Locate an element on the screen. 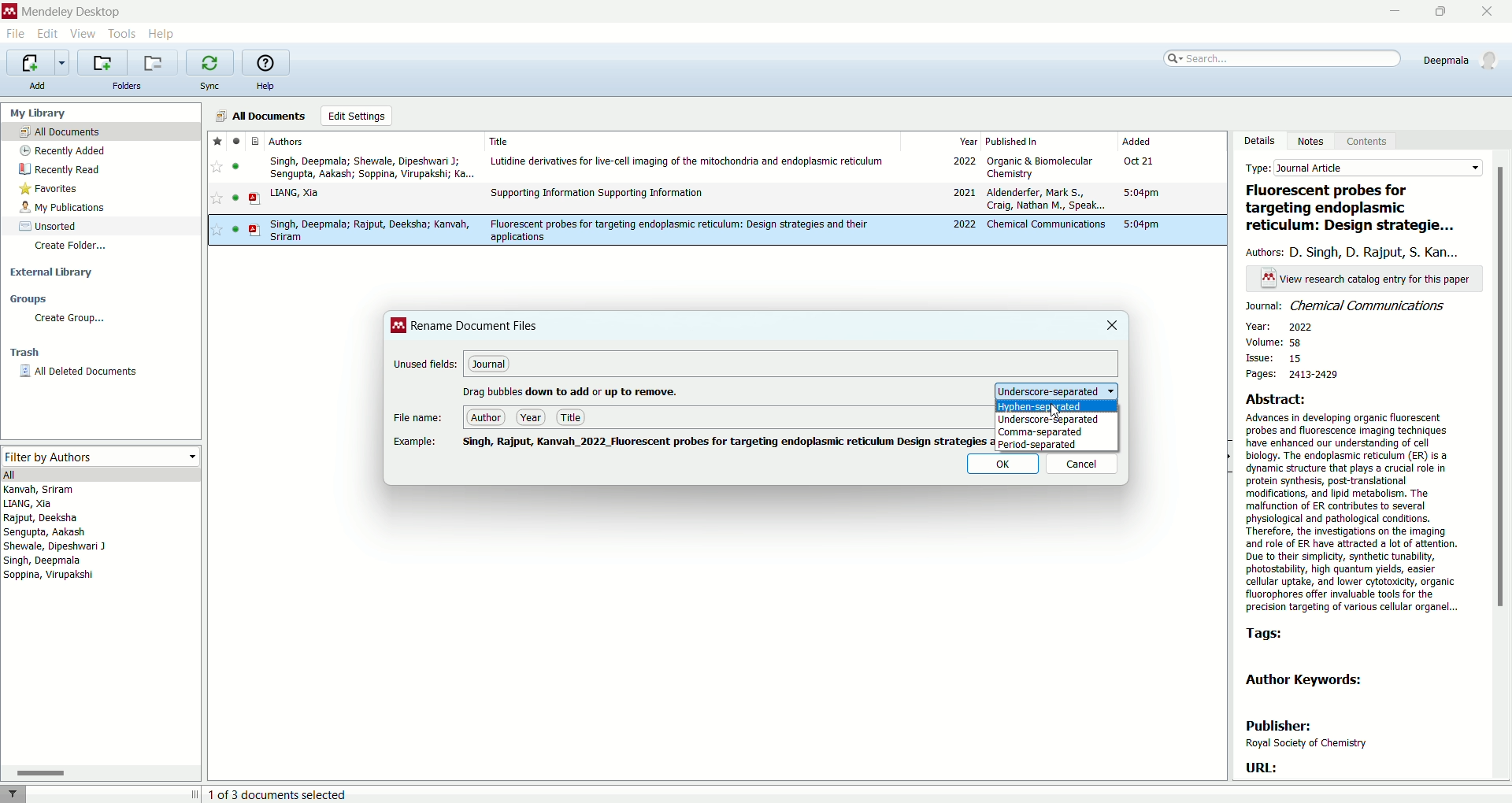 The height and width of the screenshot is (803, 1512). 2022 is located at coordinates (965, 225).